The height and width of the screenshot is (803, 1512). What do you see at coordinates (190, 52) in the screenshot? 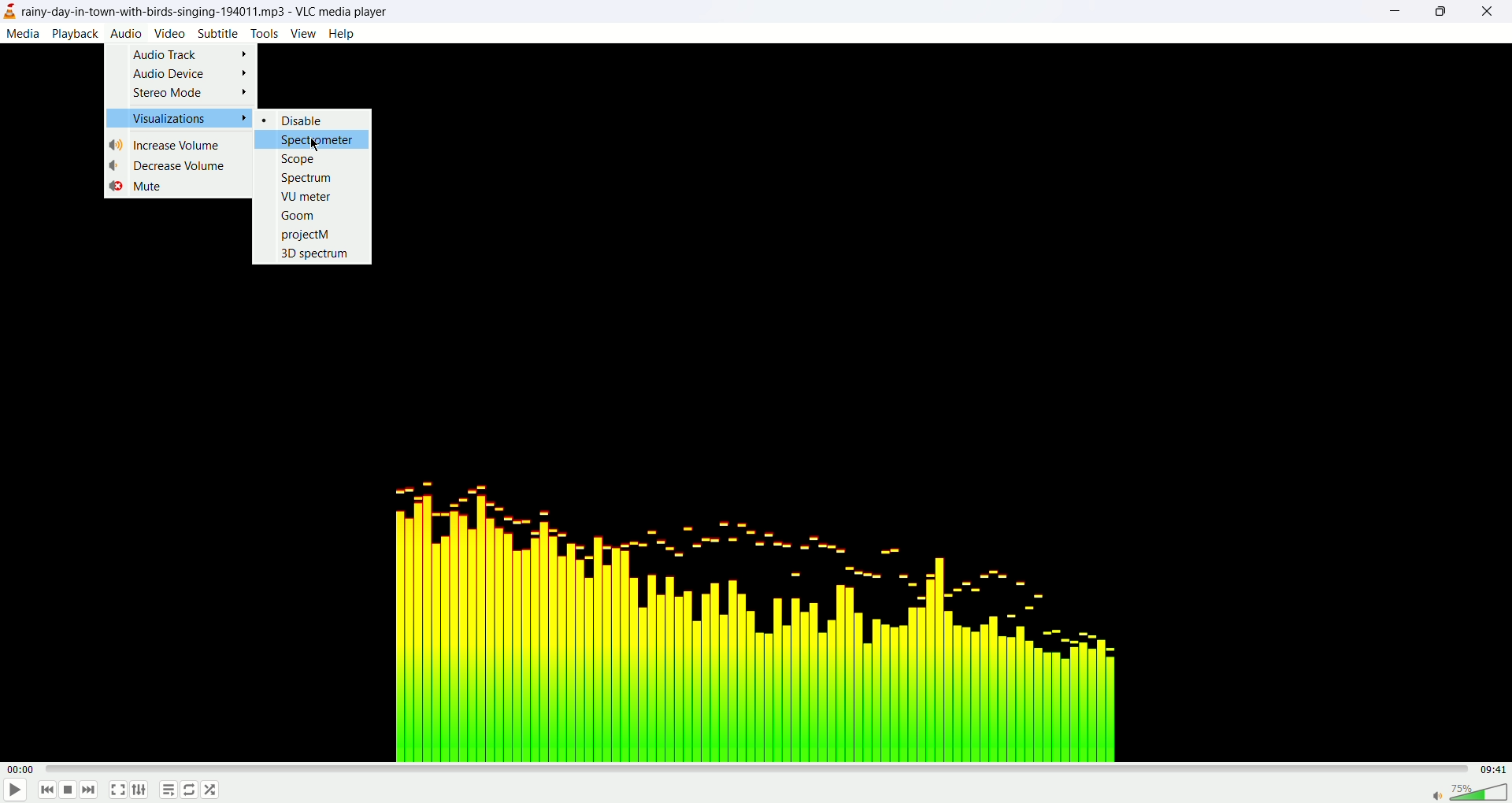
I see `audio track` at bounding box center [190, 52].